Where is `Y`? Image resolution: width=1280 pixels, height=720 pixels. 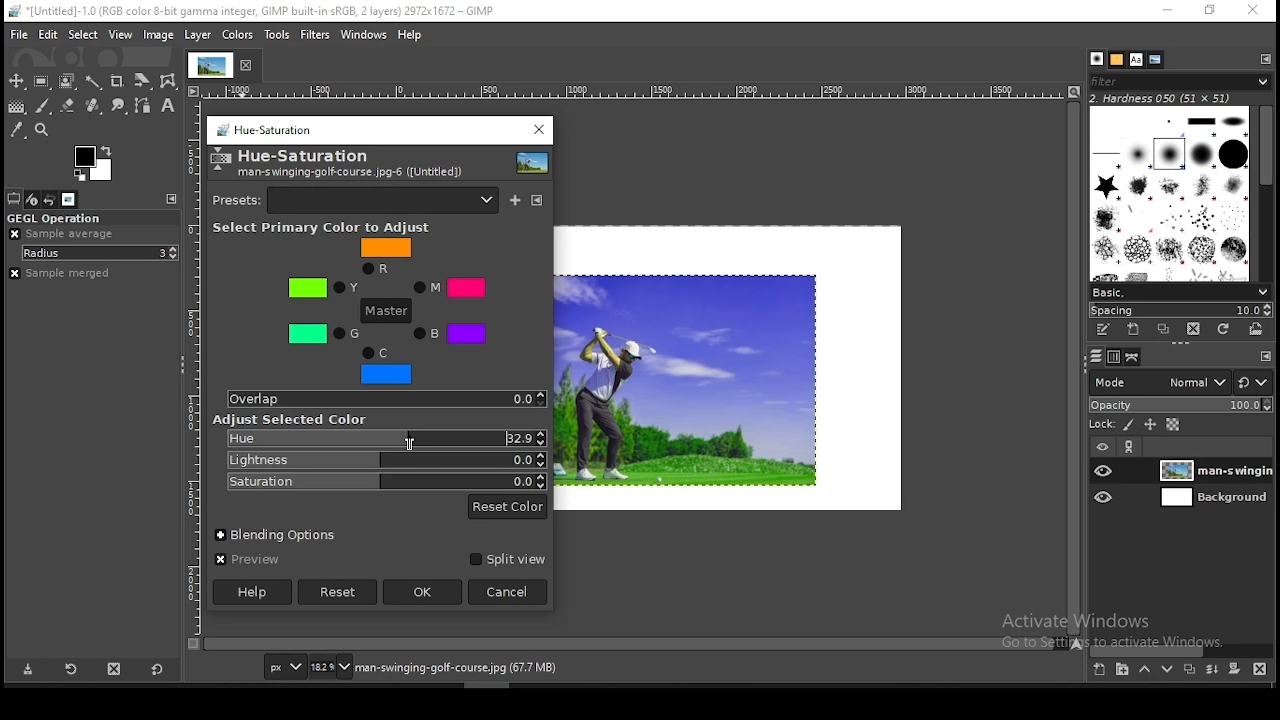 Y is located at coordinates (324, 288).